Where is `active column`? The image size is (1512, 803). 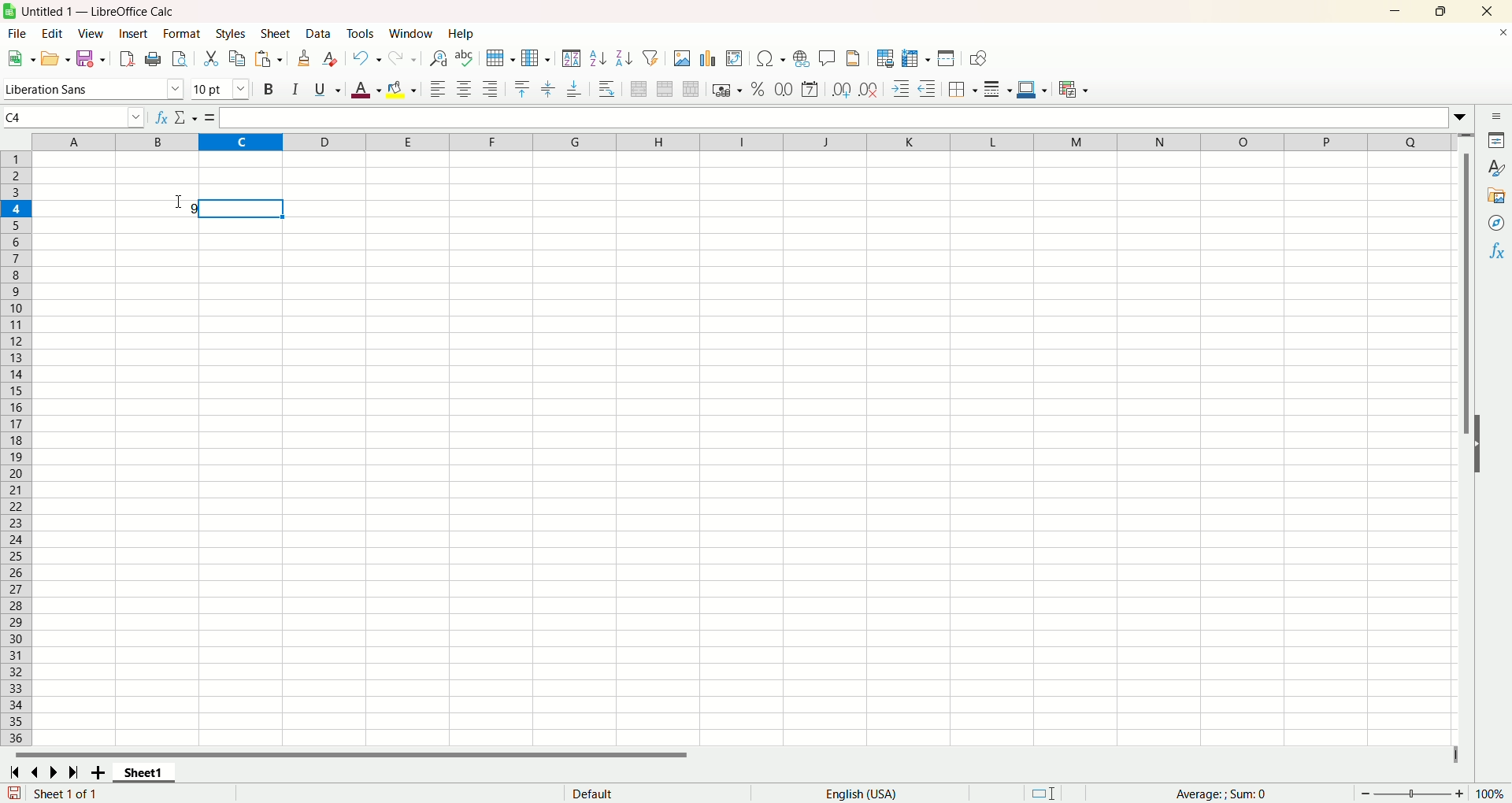 active column is located at coordinates (239, 142).